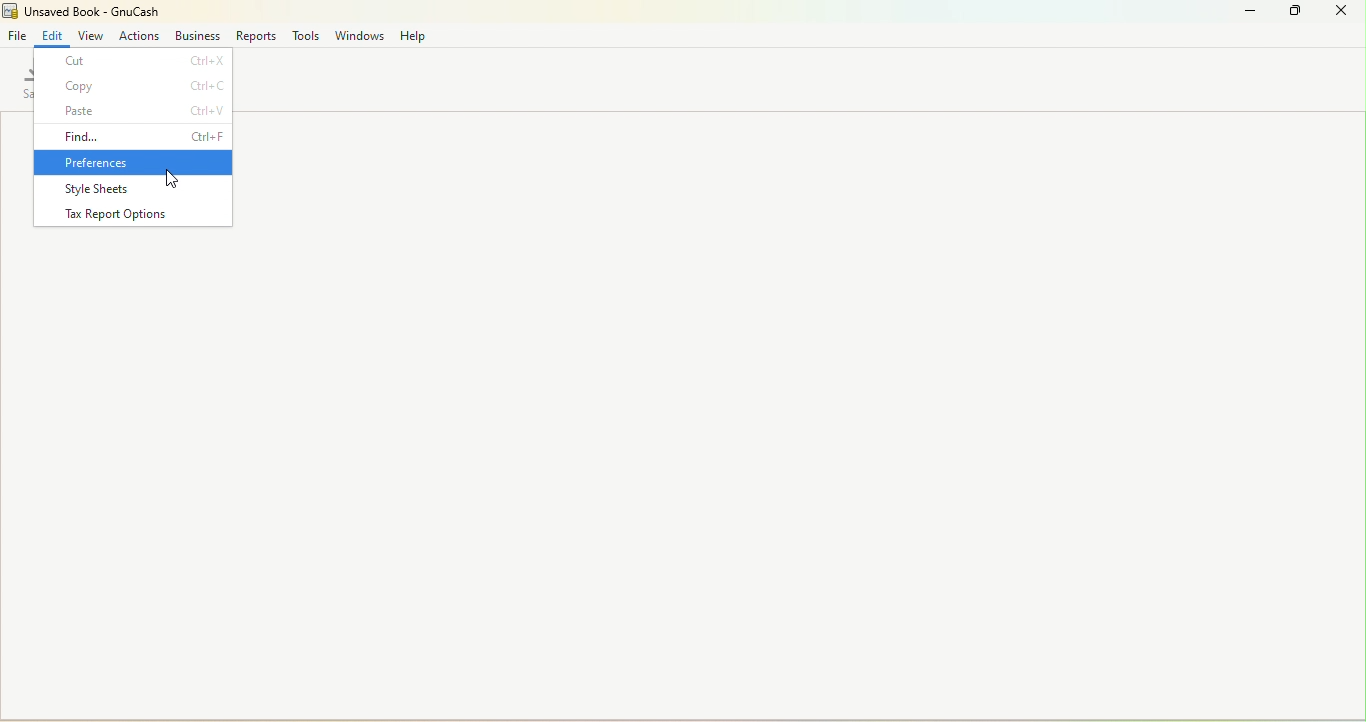 The width and height of the screenshot is (1366, 722). What do you see at coordinates (135, 214) in the screenshot?
I see `Tax report options` at bounding box center [135, 214].